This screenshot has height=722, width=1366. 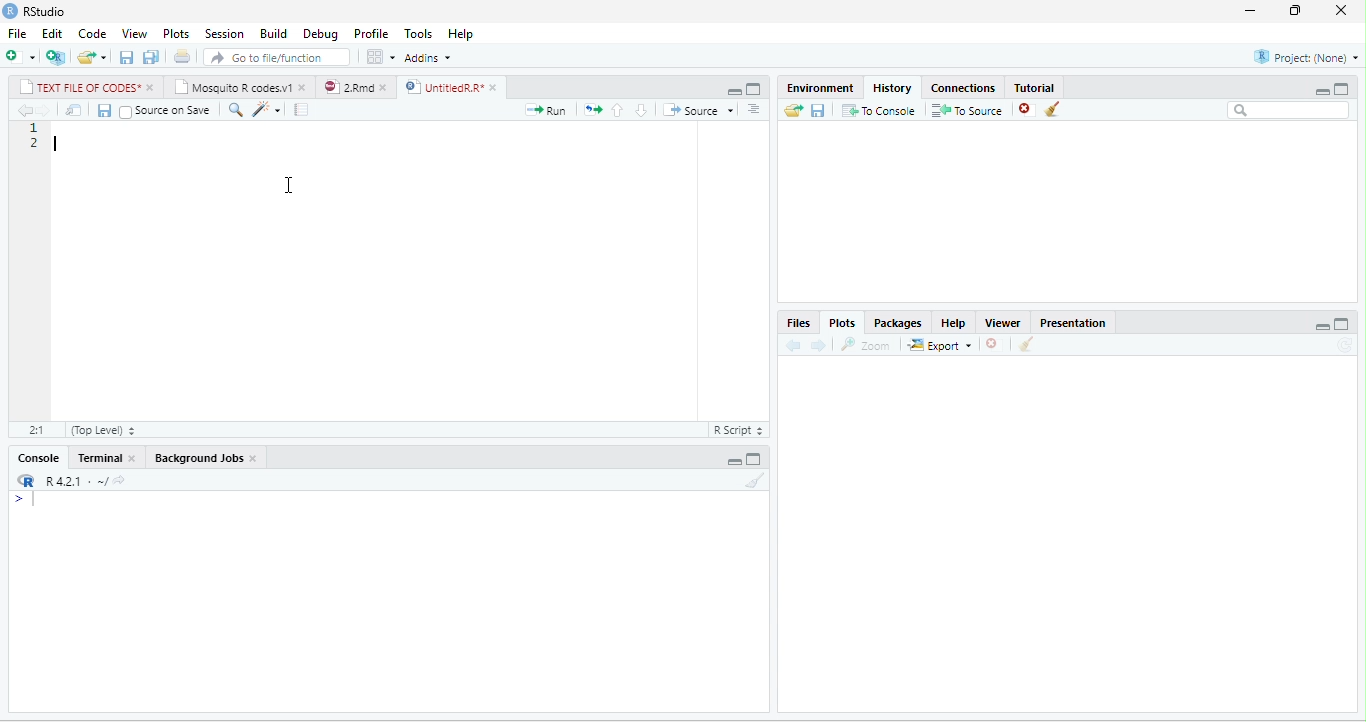 What do you see at coordinates (166, 112) in the screenshot?
I see `Source on Save` at bounding box center [166, 112].